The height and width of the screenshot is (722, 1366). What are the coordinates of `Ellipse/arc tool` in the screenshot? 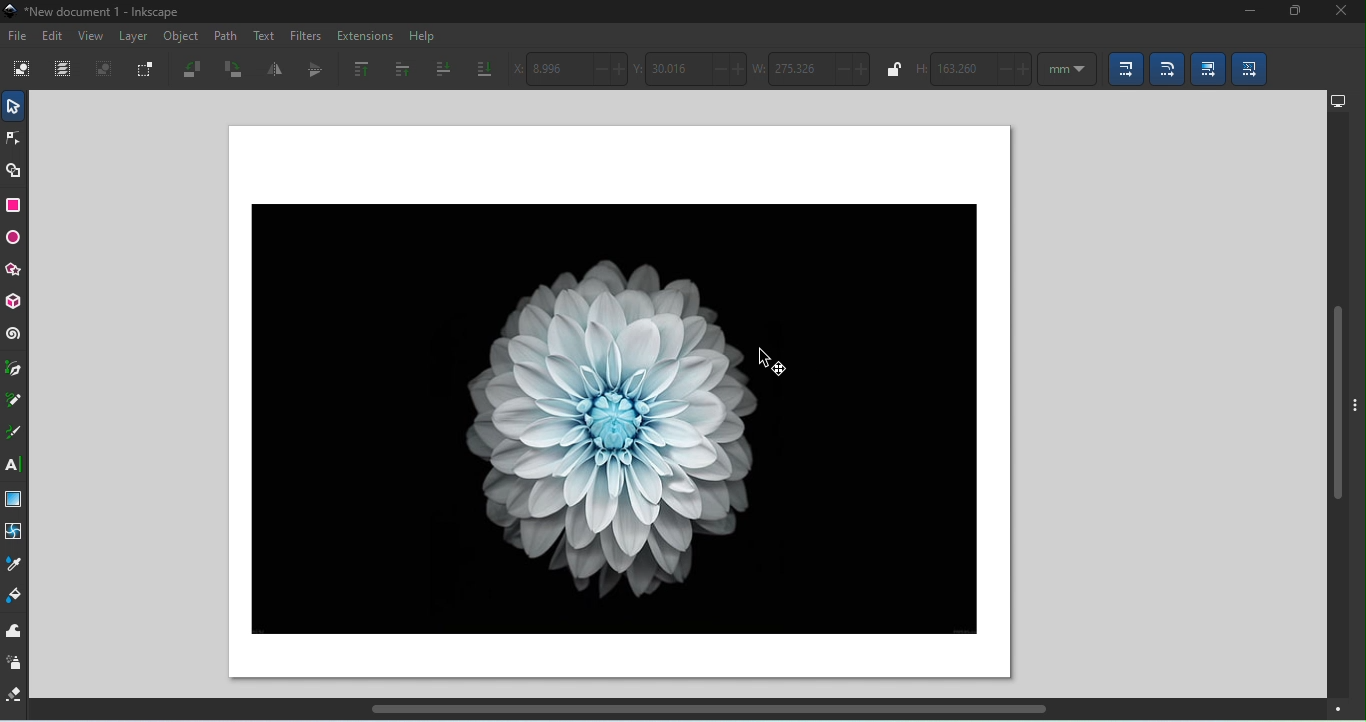 It's located at (16, 240).